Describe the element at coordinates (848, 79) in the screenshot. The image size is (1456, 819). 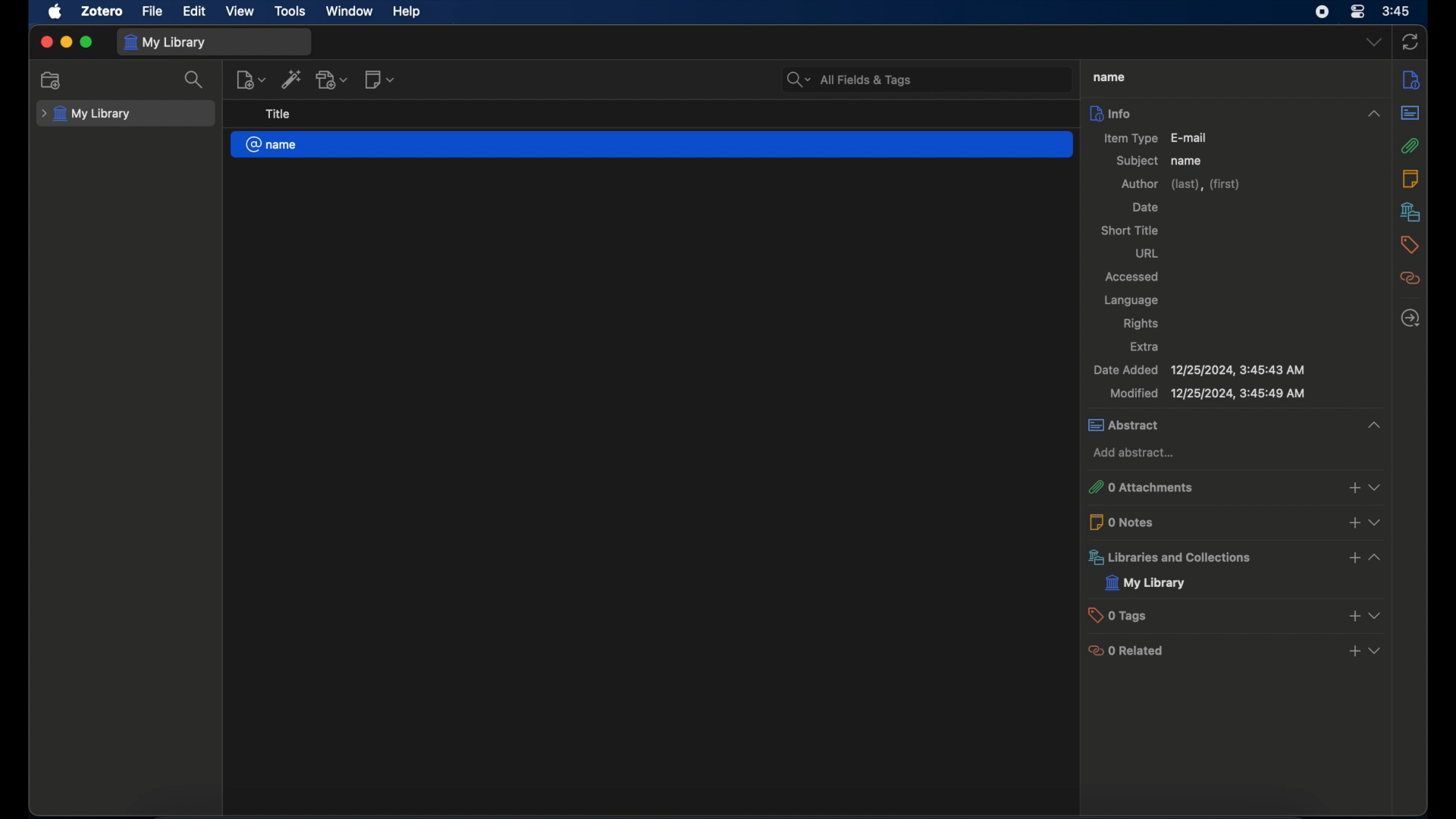
I see `search bar` at that location.